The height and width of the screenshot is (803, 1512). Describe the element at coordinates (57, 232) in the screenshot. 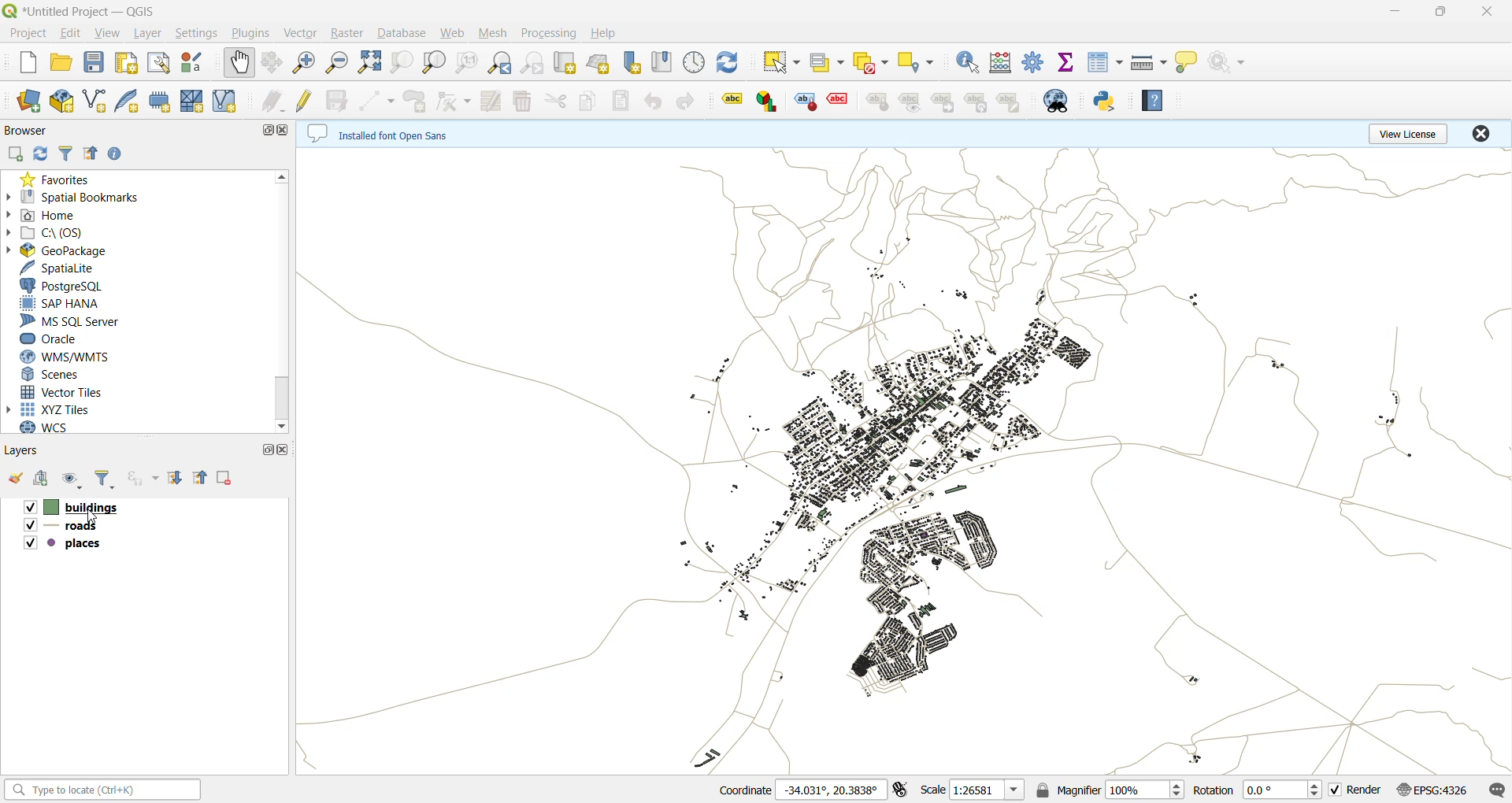

I see `c\:os` at that location.